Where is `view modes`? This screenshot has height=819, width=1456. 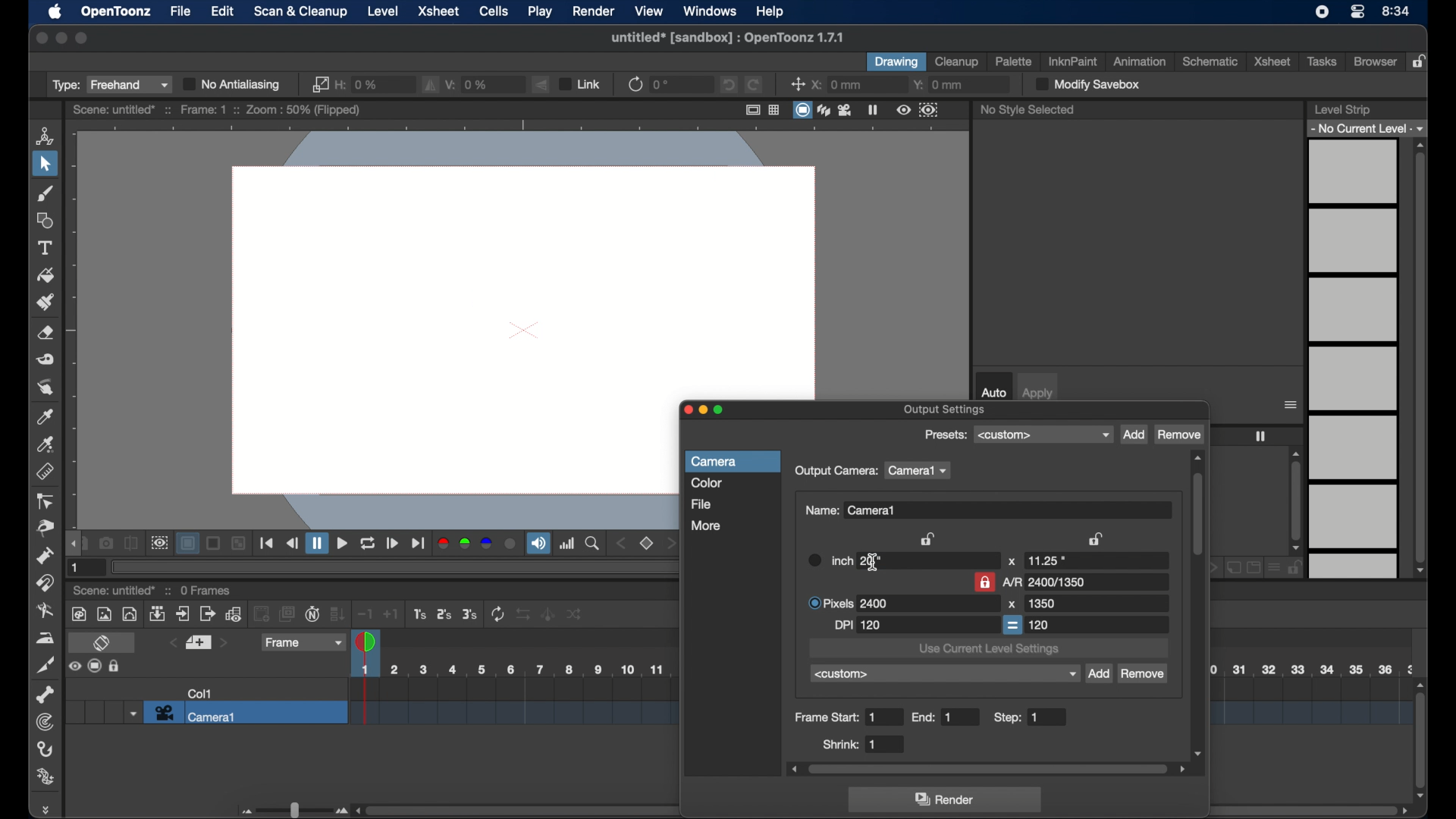
view modes is located at coordinates (824, 110).